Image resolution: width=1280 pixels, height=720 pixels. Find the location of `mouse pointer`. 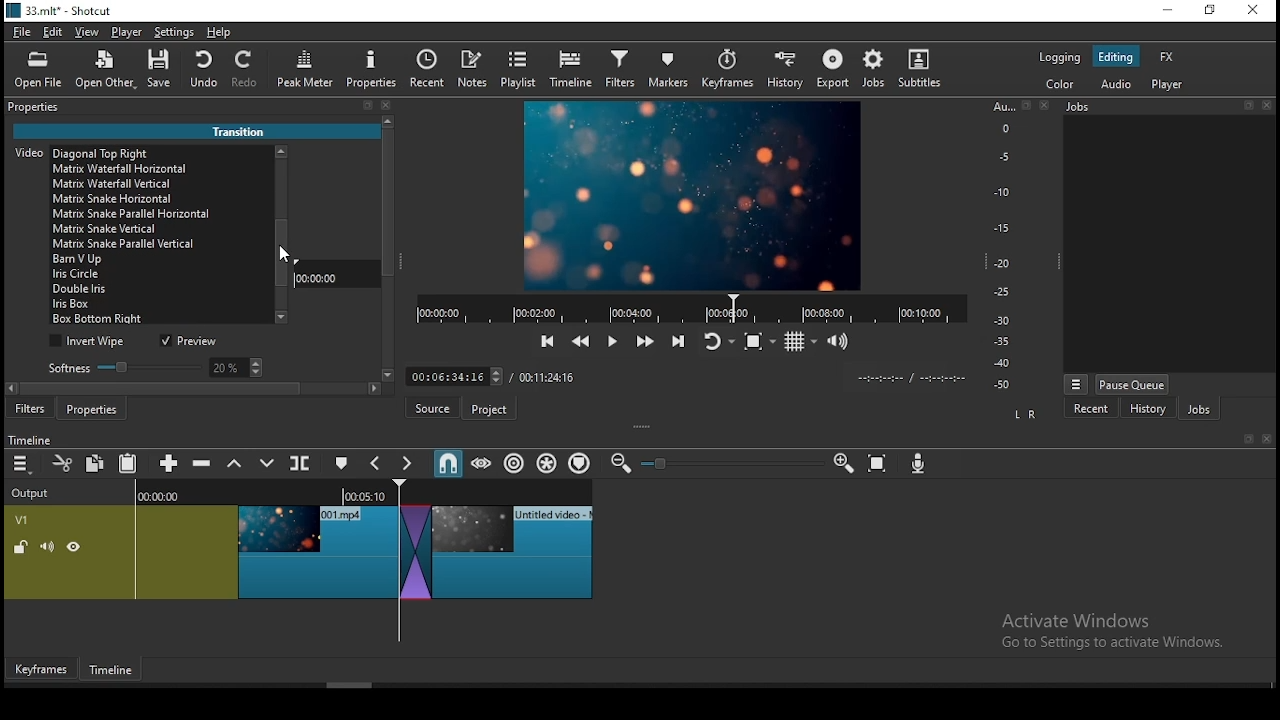

mouse pointer is located at coordinates (281, 256).